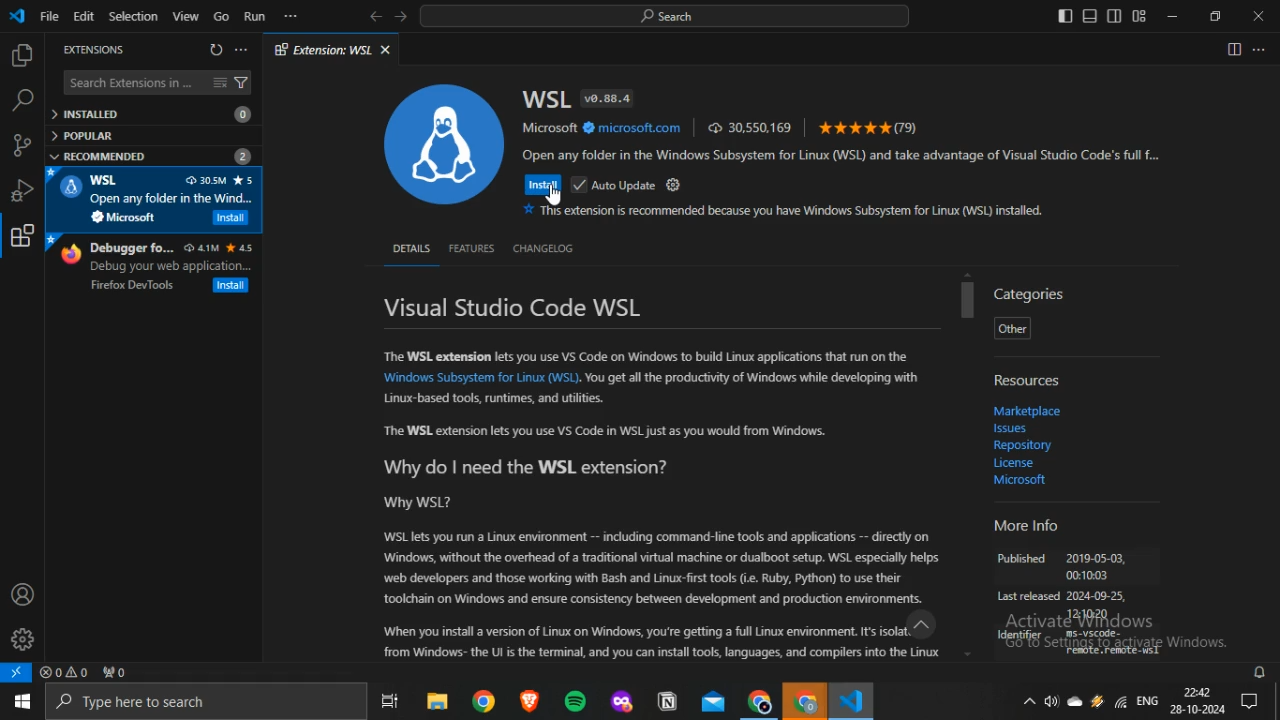  What do you see at coordinates (1013, 328) in the screenshot?
I see `Other` at bounding box center [1013, 328].